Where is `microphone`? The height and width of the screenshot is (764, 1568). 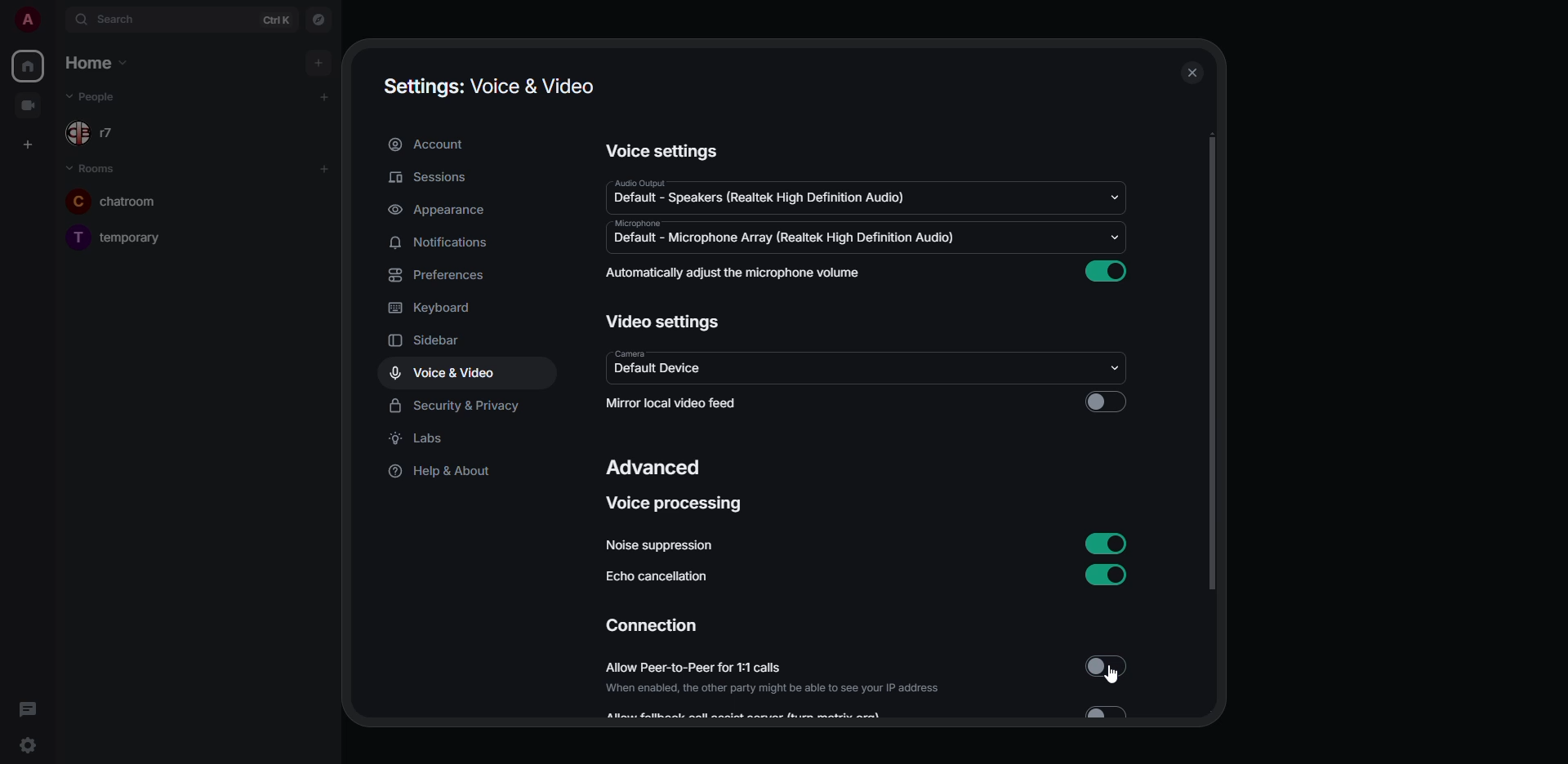
microphone is located at coordinates (639, 224).